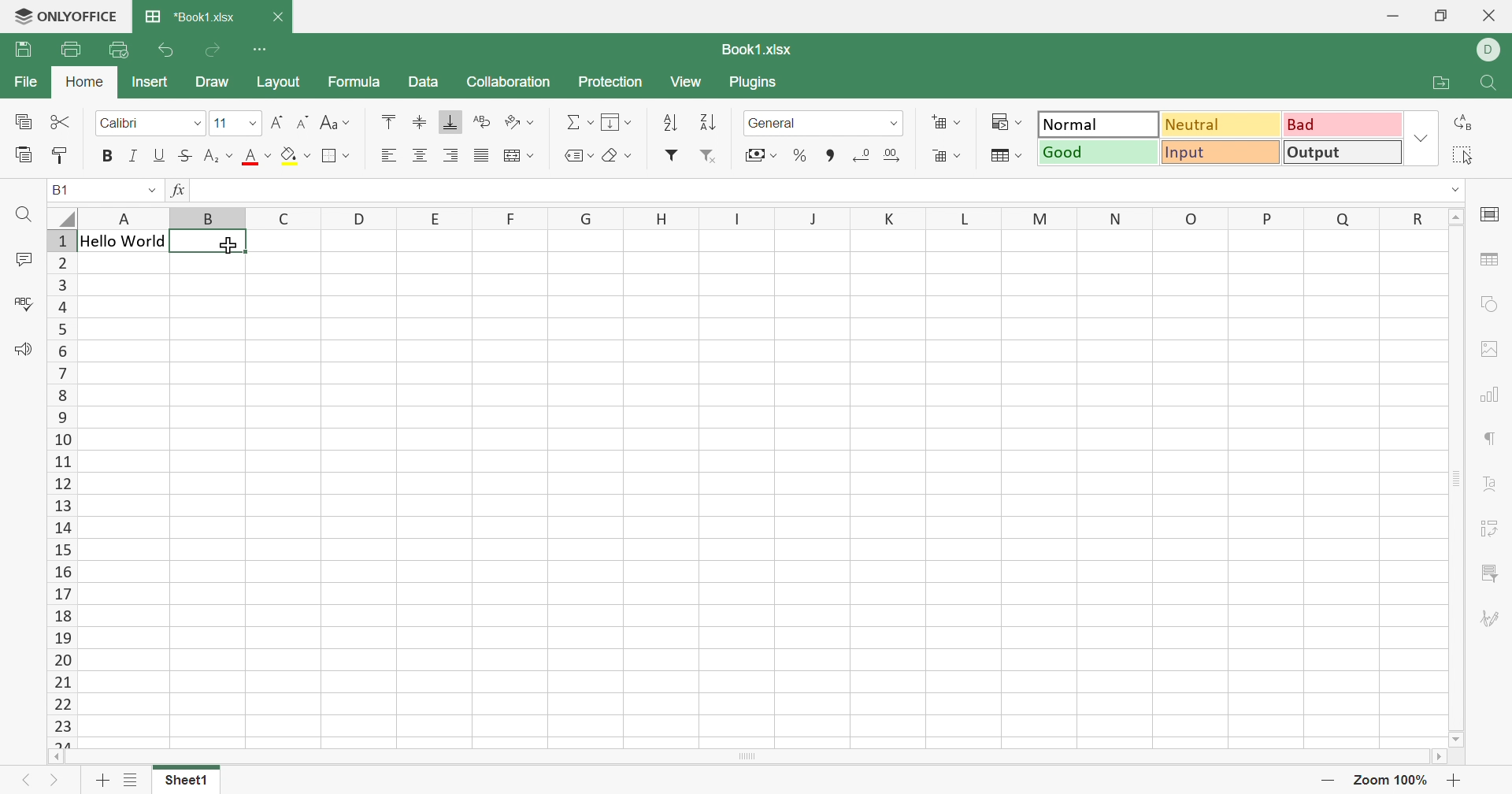  I want to click on Drop down, so click(1455, 192).